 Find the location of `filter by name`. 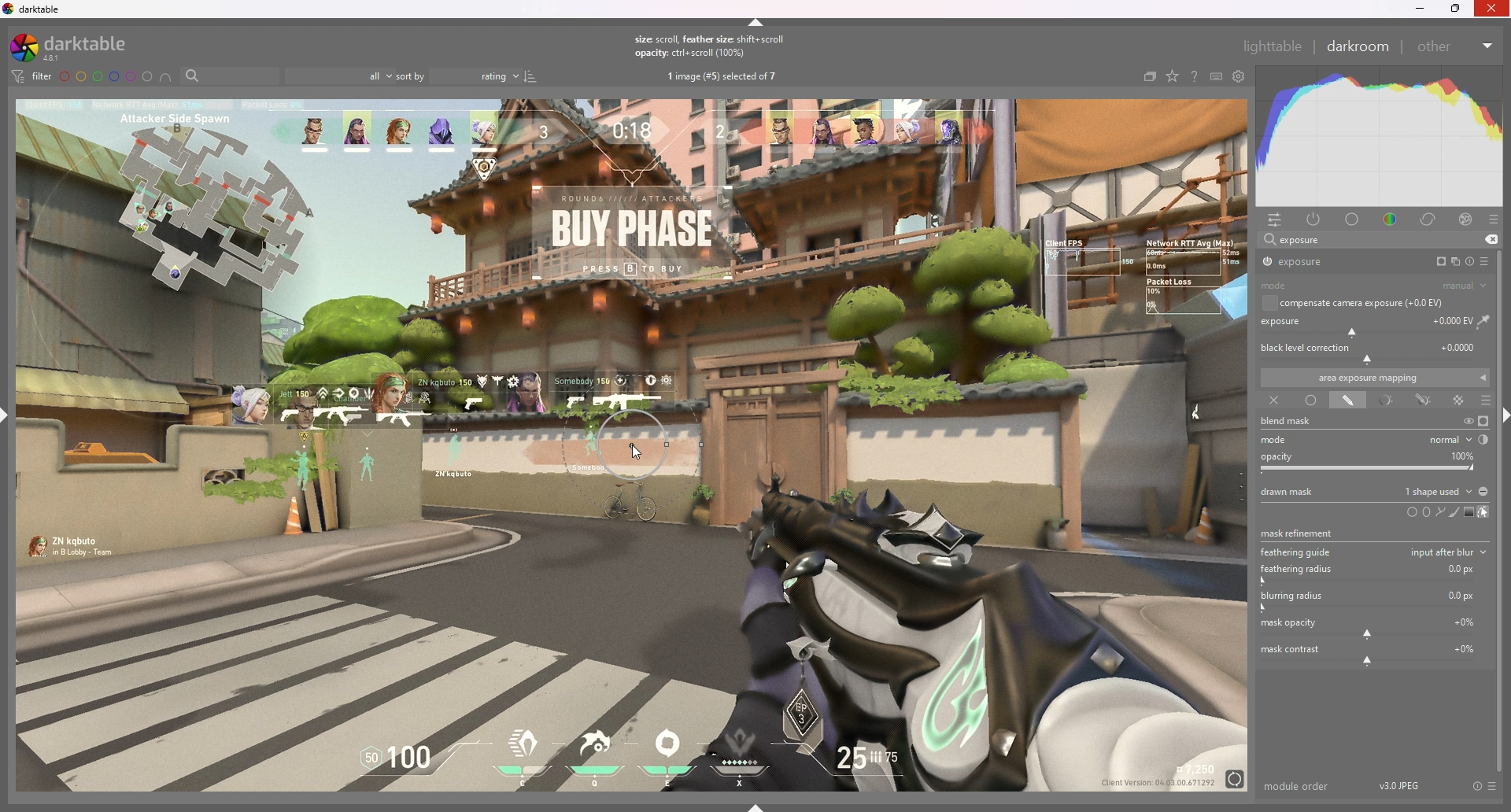

filter by name is located at coordinates (230, 75).